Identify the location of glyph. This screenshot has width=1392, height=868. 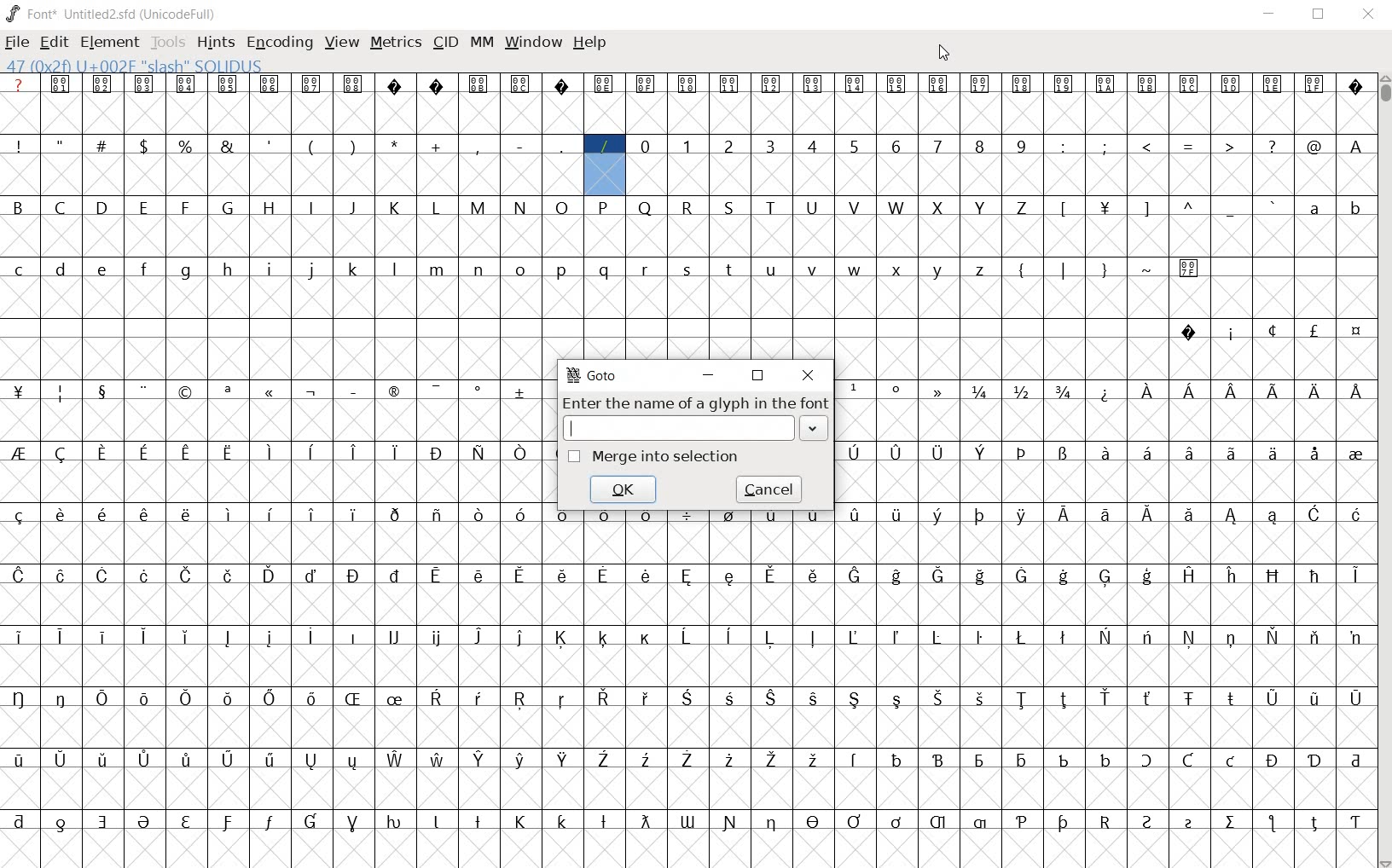
(311, 148).